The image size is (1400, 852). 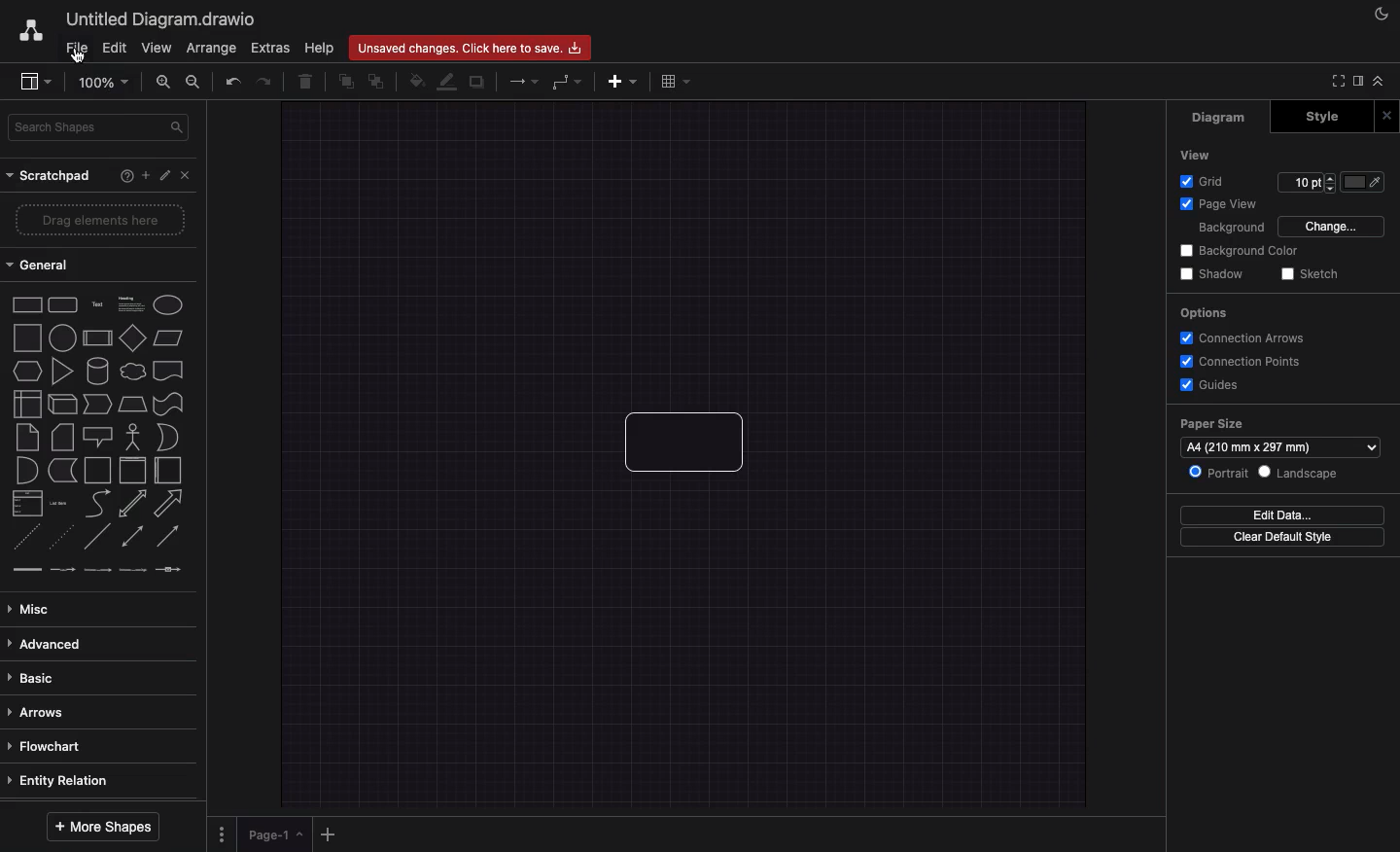 What do you see at coordinates (1208, 386) in the screenshot?
I see `Guides` at bounding box center [1208, 386].